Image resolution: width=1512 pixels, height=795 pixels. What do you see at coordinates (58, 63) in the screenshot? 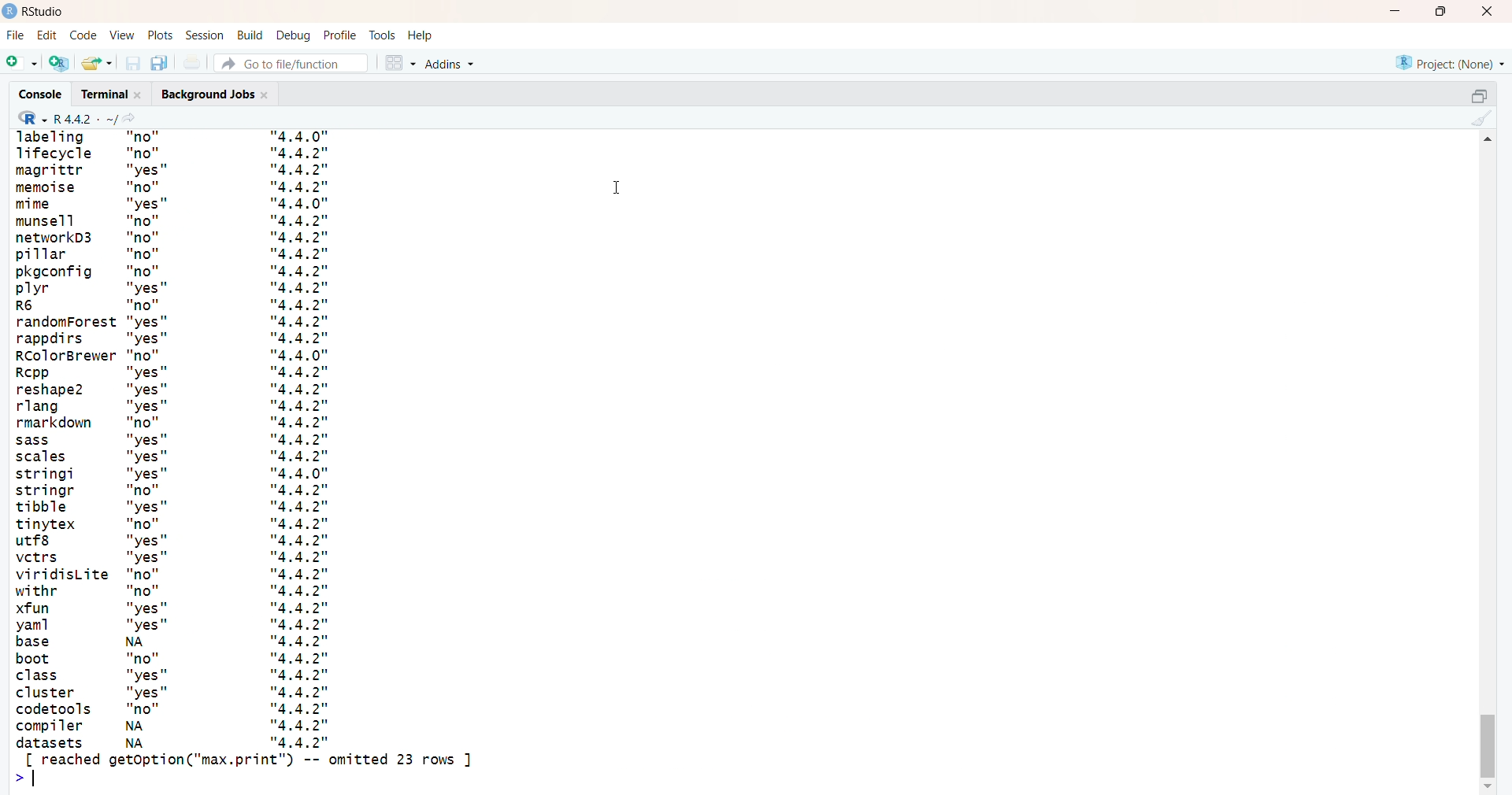
I see `create a project` at bounding box center [58, 63].